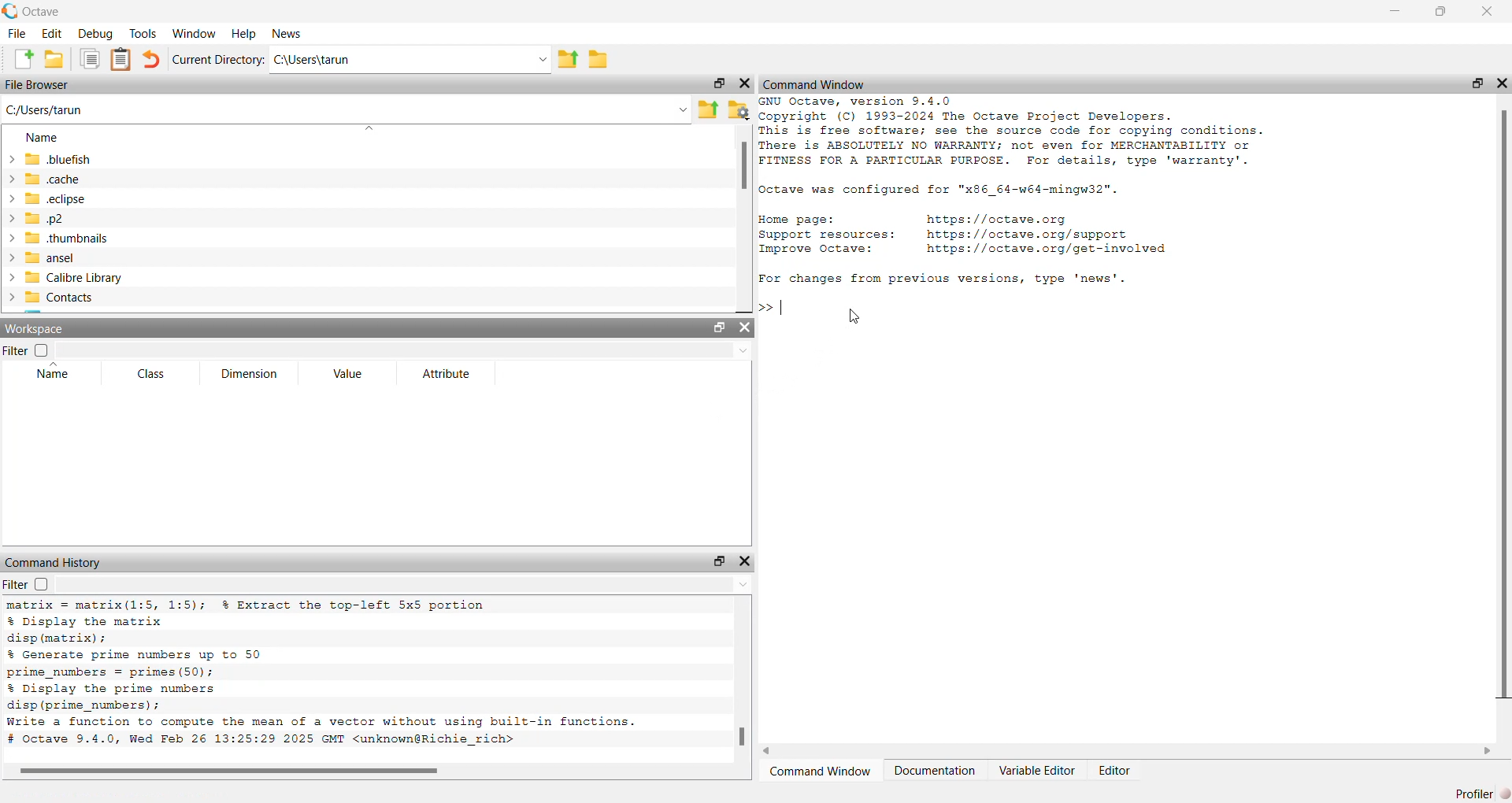 This screenshot has height=803, width=1512. I want to click on .p2, so click(46, 218).